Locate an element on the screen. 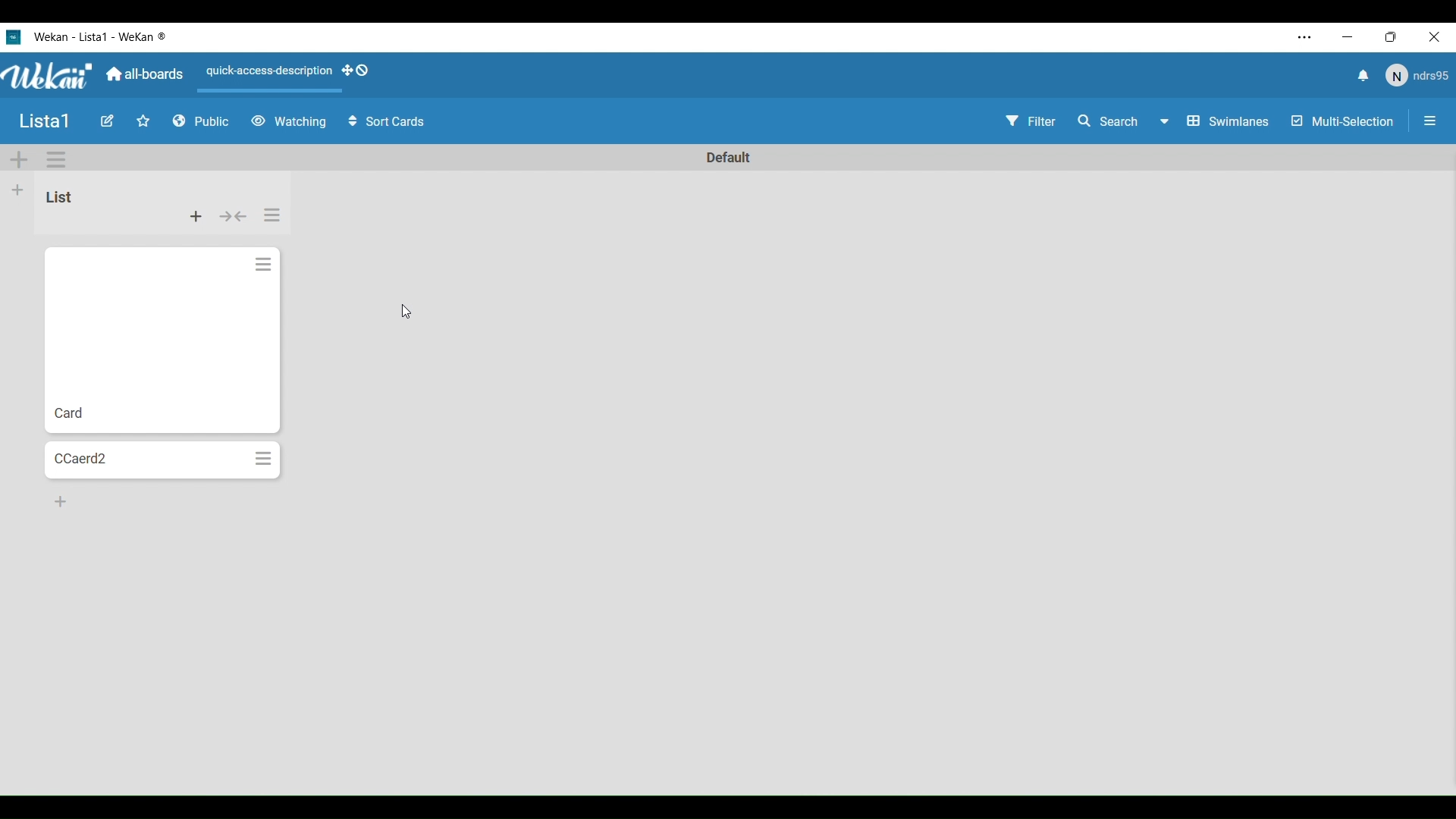  Card actions is located at coordinates (262, 265).